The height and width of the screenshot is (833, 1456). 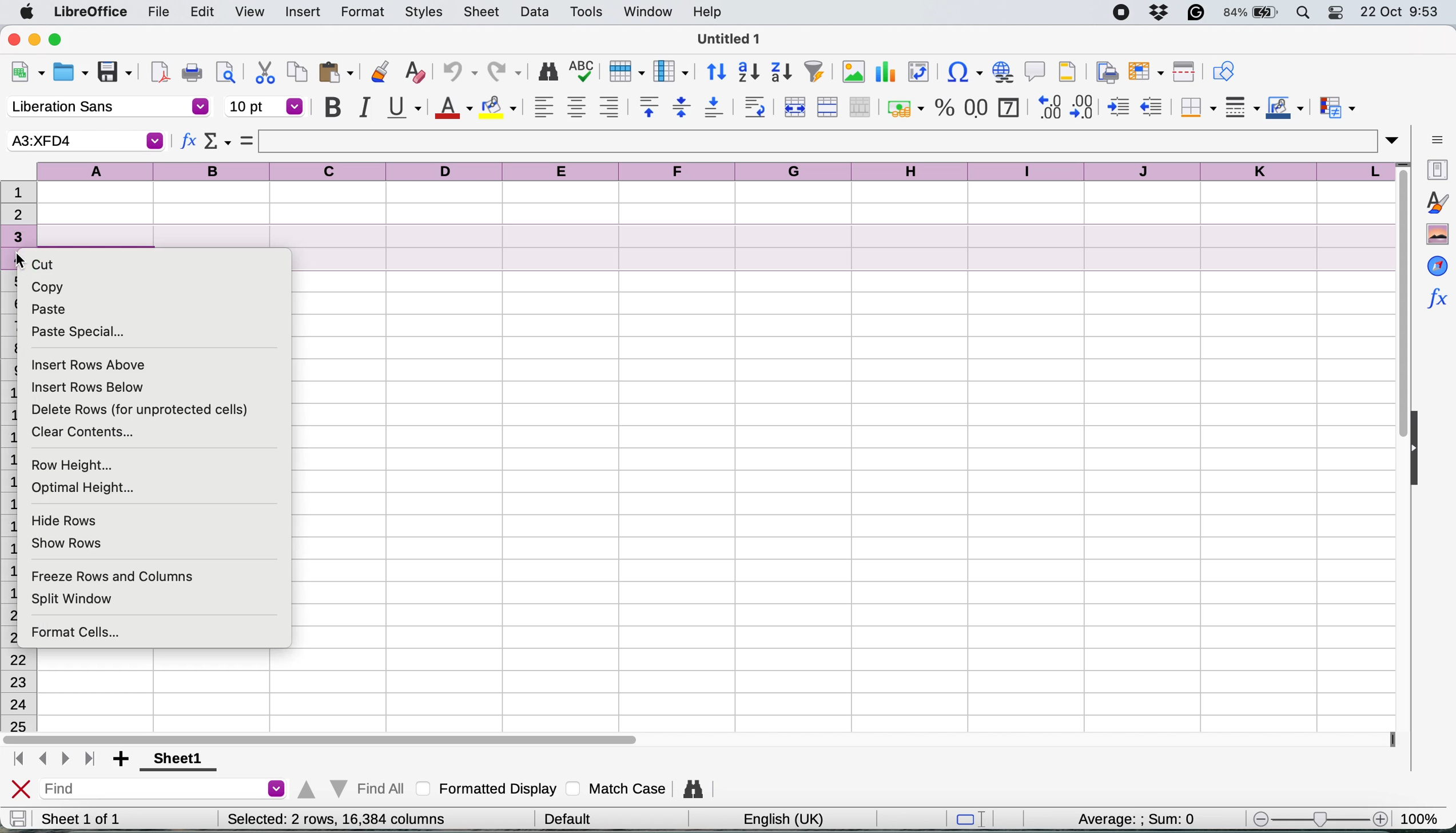 I want to click on window, so click(x=647, y=13).